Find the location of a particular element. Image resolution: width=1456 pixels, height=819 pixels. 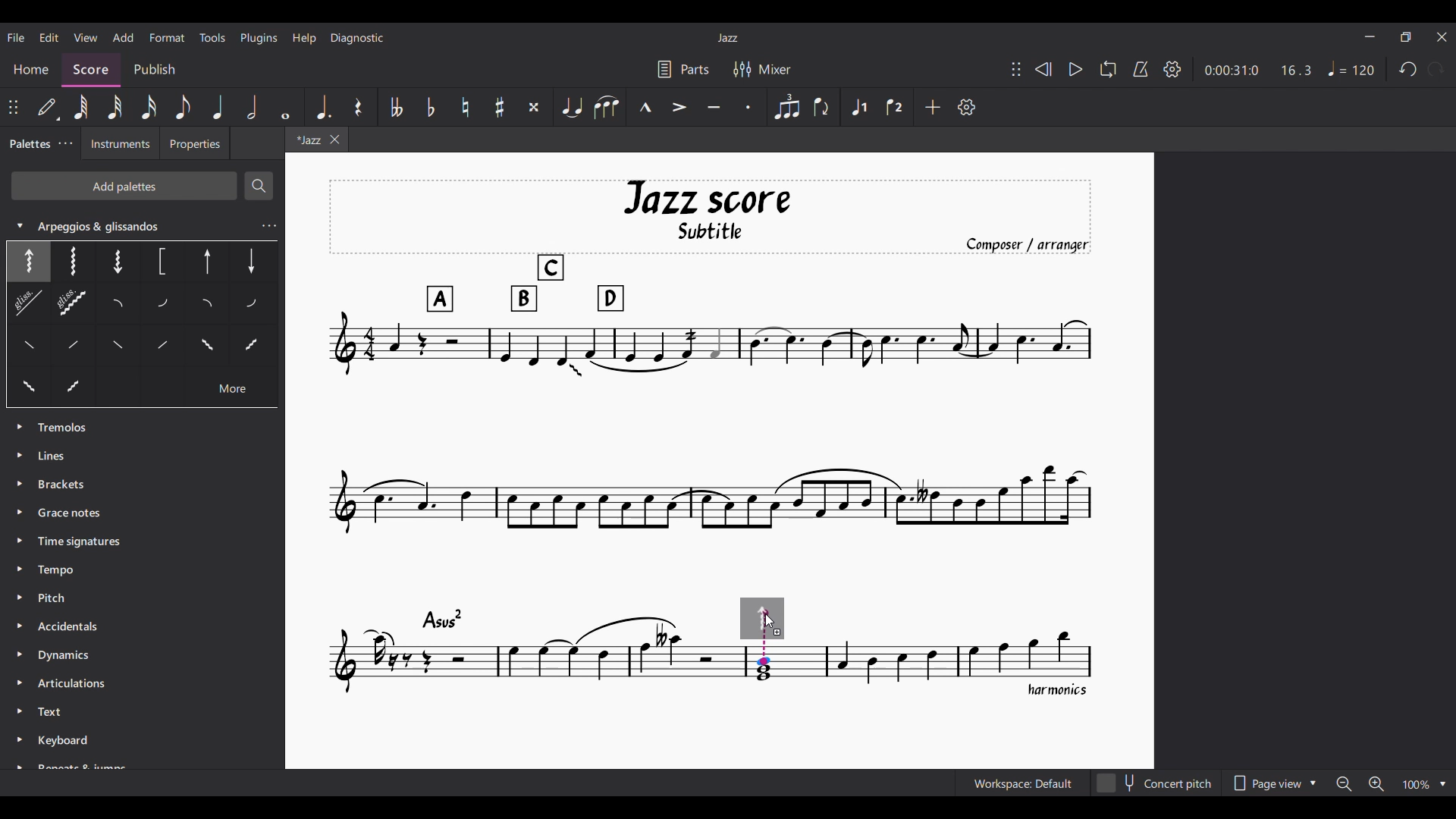

 is located at coordinates (161, 306).